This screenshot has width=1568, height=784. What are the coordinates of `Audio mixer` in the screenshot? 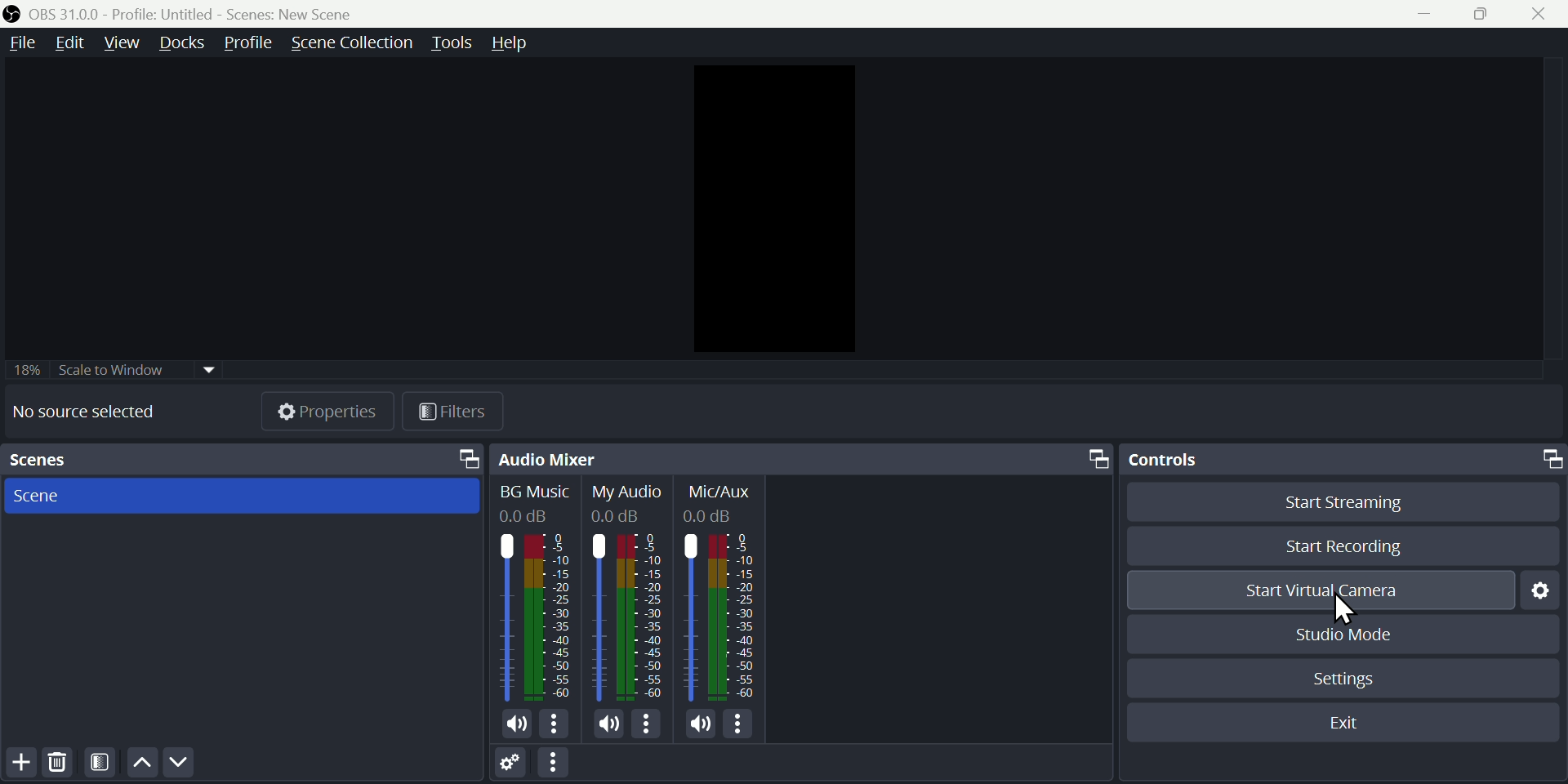 It's located at (802, 457).